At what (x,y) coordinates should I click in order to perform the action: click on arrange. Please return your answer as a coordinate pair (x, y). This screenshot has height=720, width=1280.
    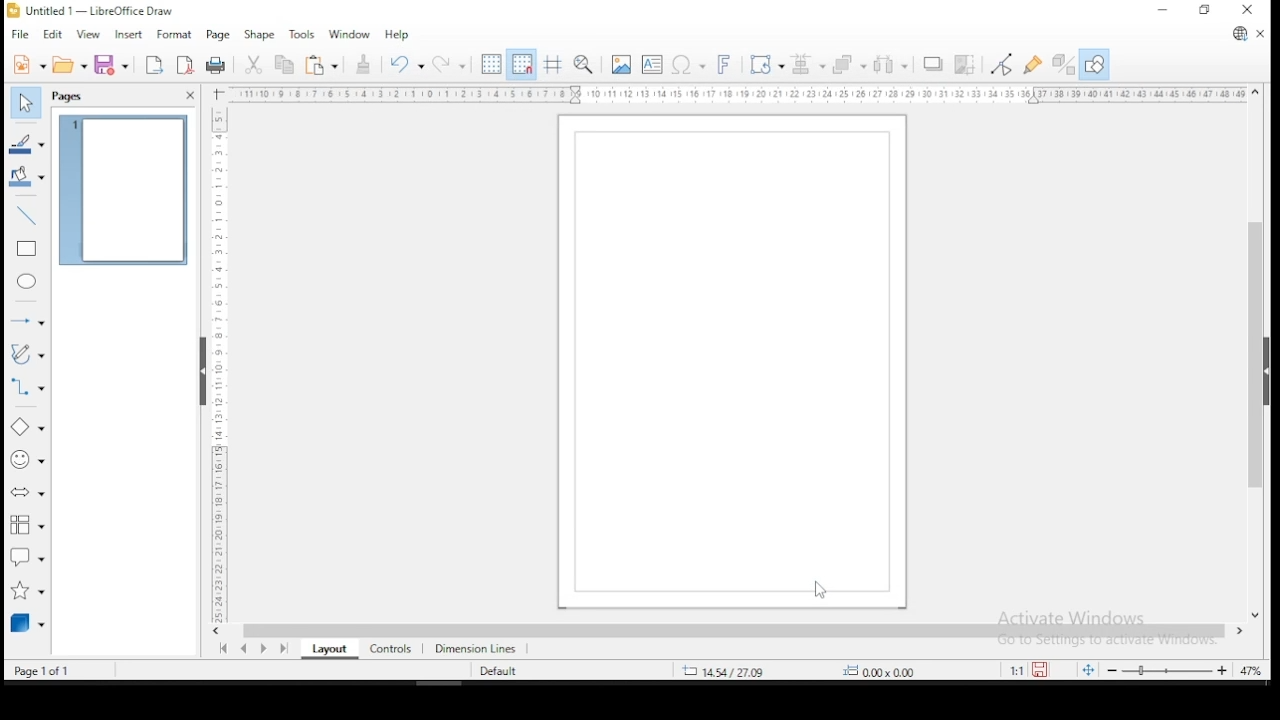
    Looking at the image, I should click on (848, 65).